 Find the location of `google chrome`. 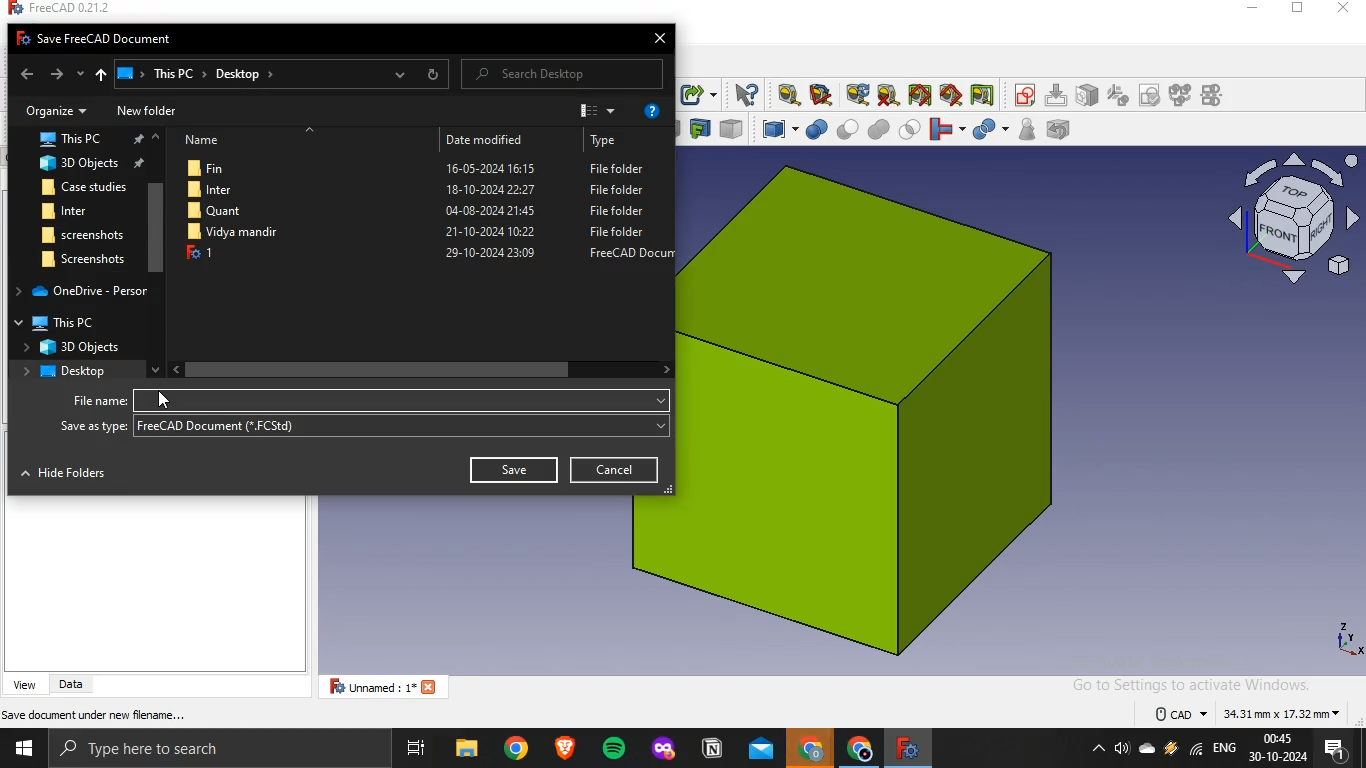

google chrome is located at coordinates (516, 748).